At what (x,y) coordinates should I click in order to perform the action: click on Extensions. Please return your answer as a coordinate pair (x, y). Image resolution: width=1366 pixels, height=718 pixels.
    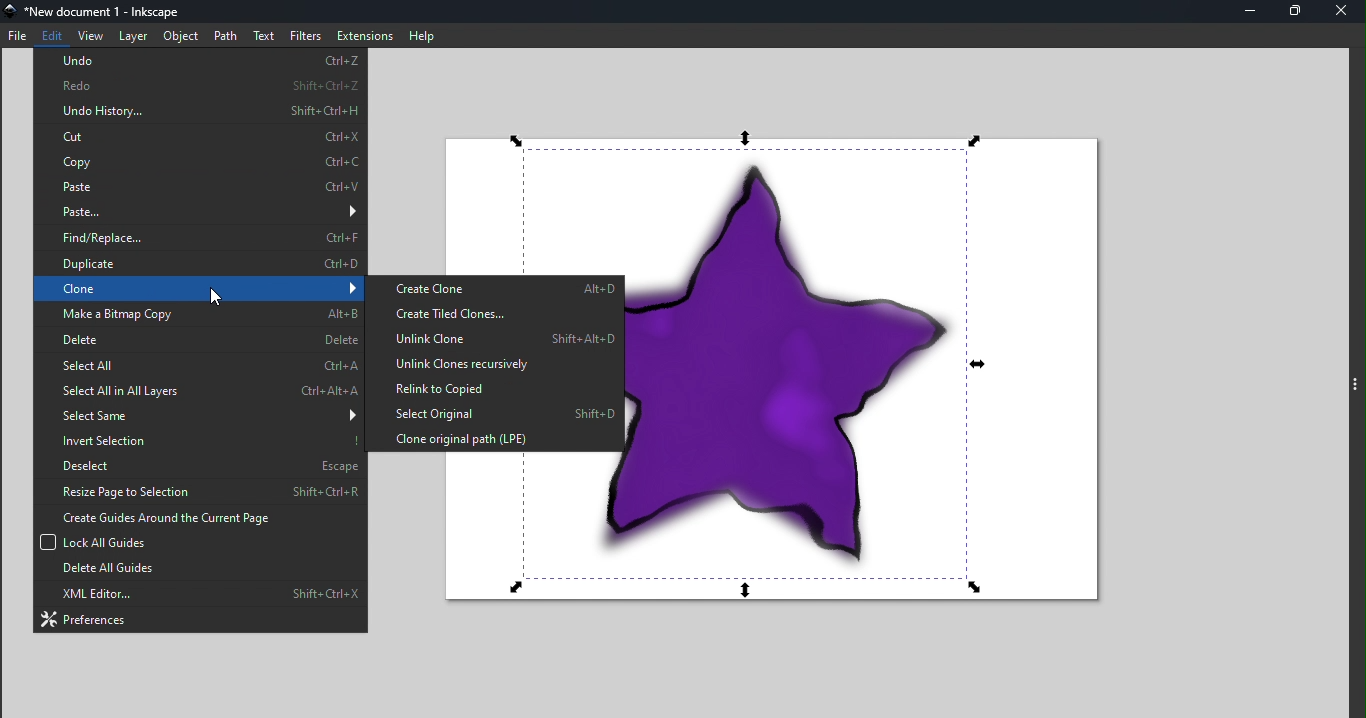
    Looking at the image, I should click on (364, 36).